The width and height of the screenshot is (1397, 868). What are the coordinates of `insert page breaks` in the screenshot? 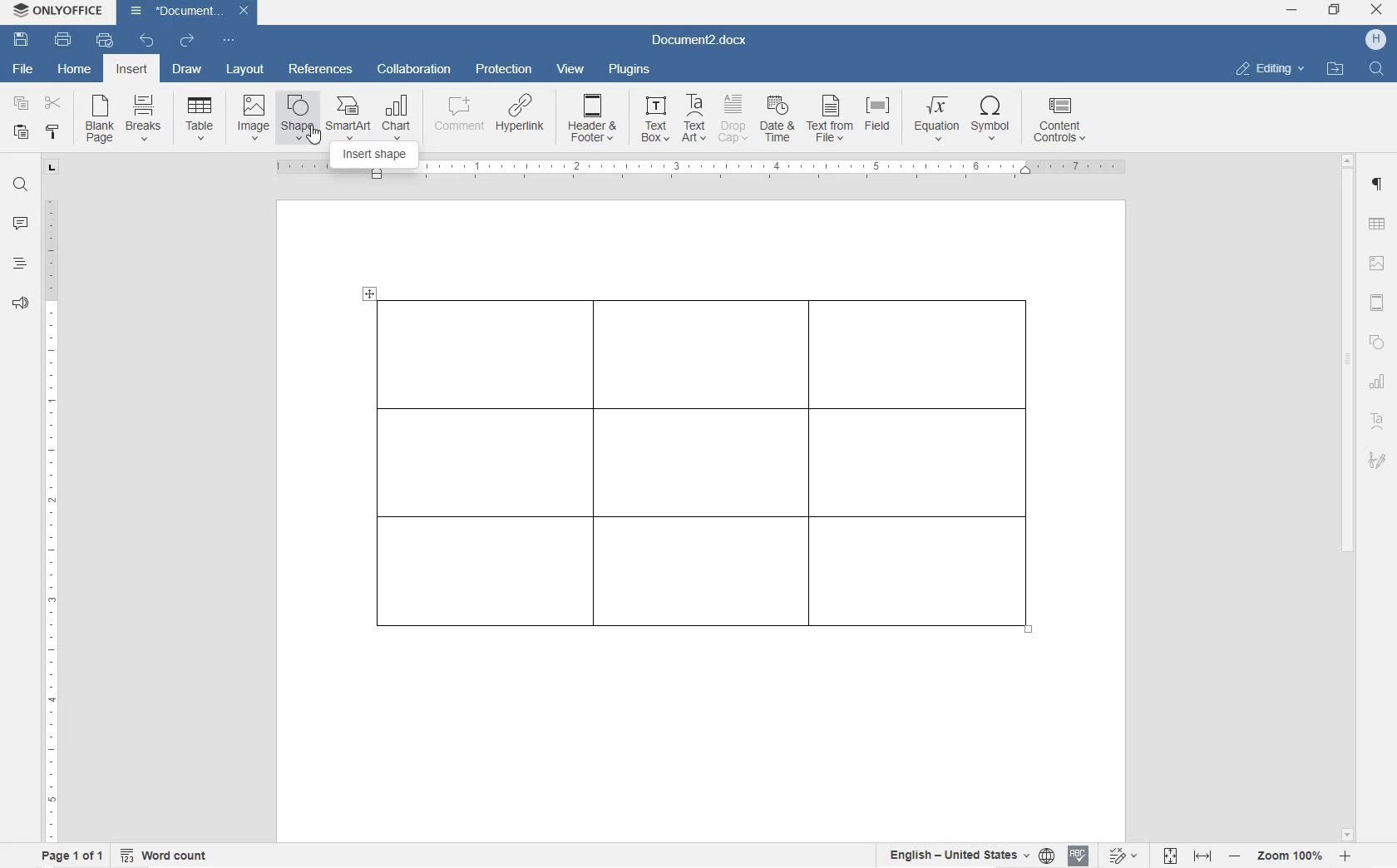 It's located at (146, 119).